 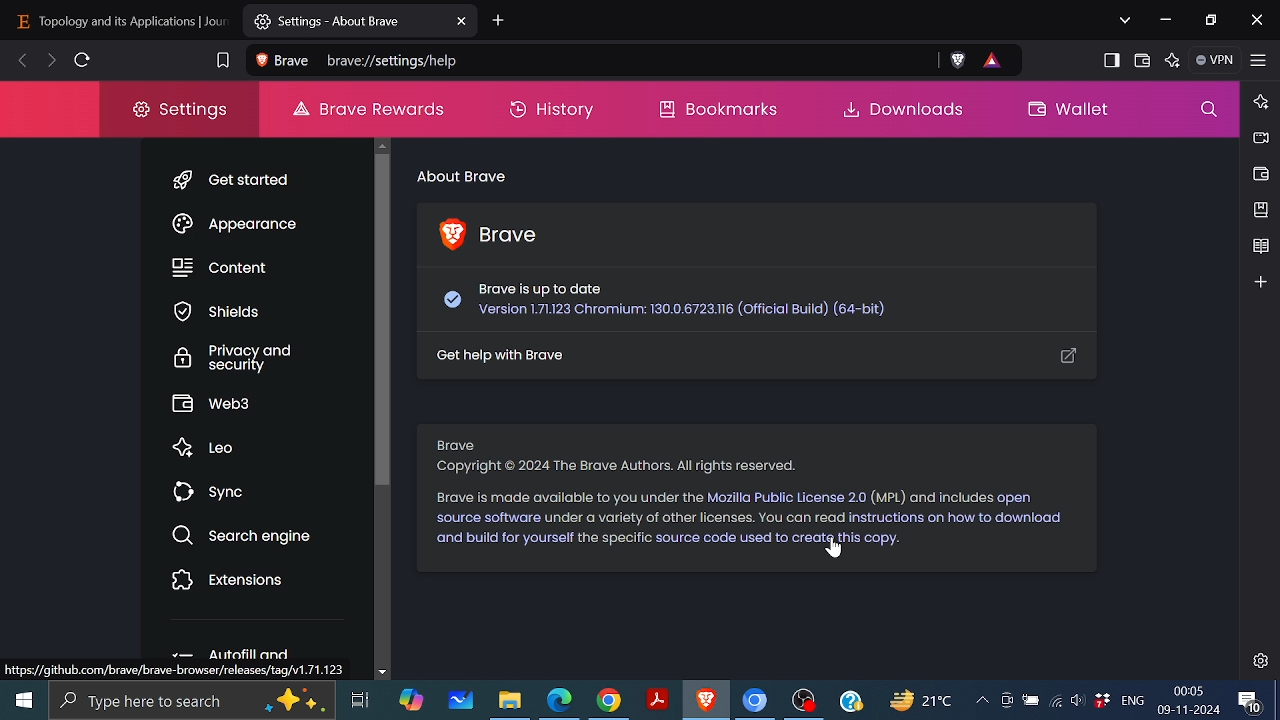 I want to click on about brave, so click(x=462, y=176).